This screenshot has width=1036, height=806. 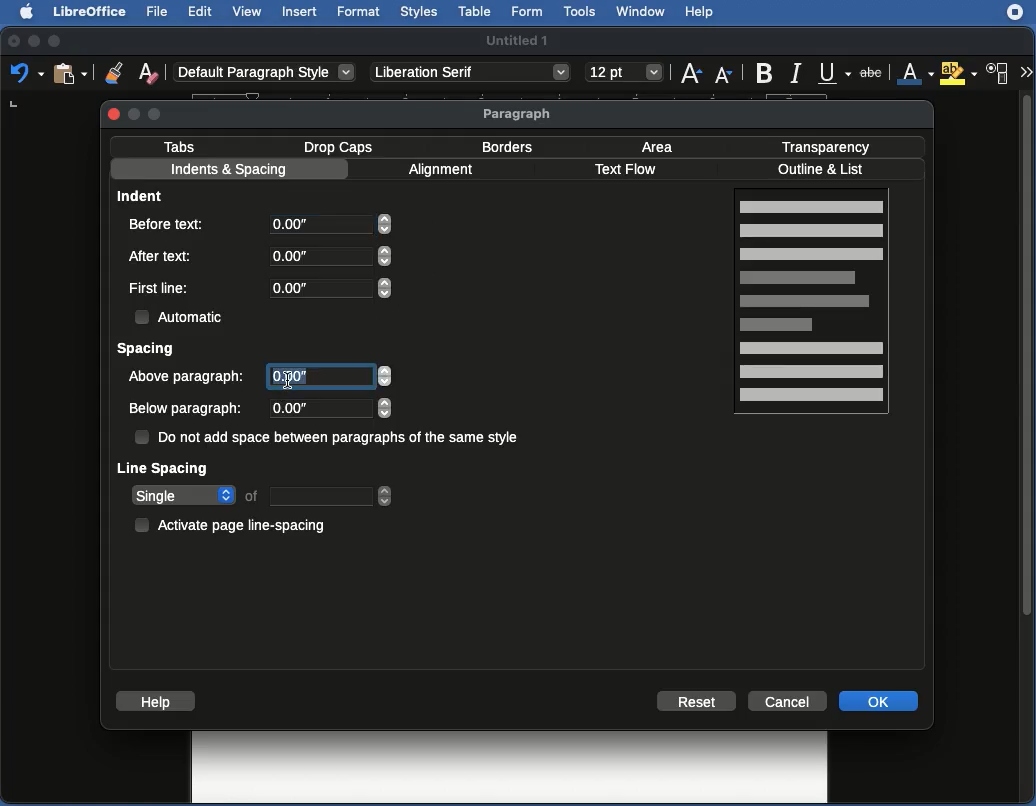 What do you see at coordinates (726, 75) in the screenshot?
I see `Font size decrease` at bounding box center [726, 75].